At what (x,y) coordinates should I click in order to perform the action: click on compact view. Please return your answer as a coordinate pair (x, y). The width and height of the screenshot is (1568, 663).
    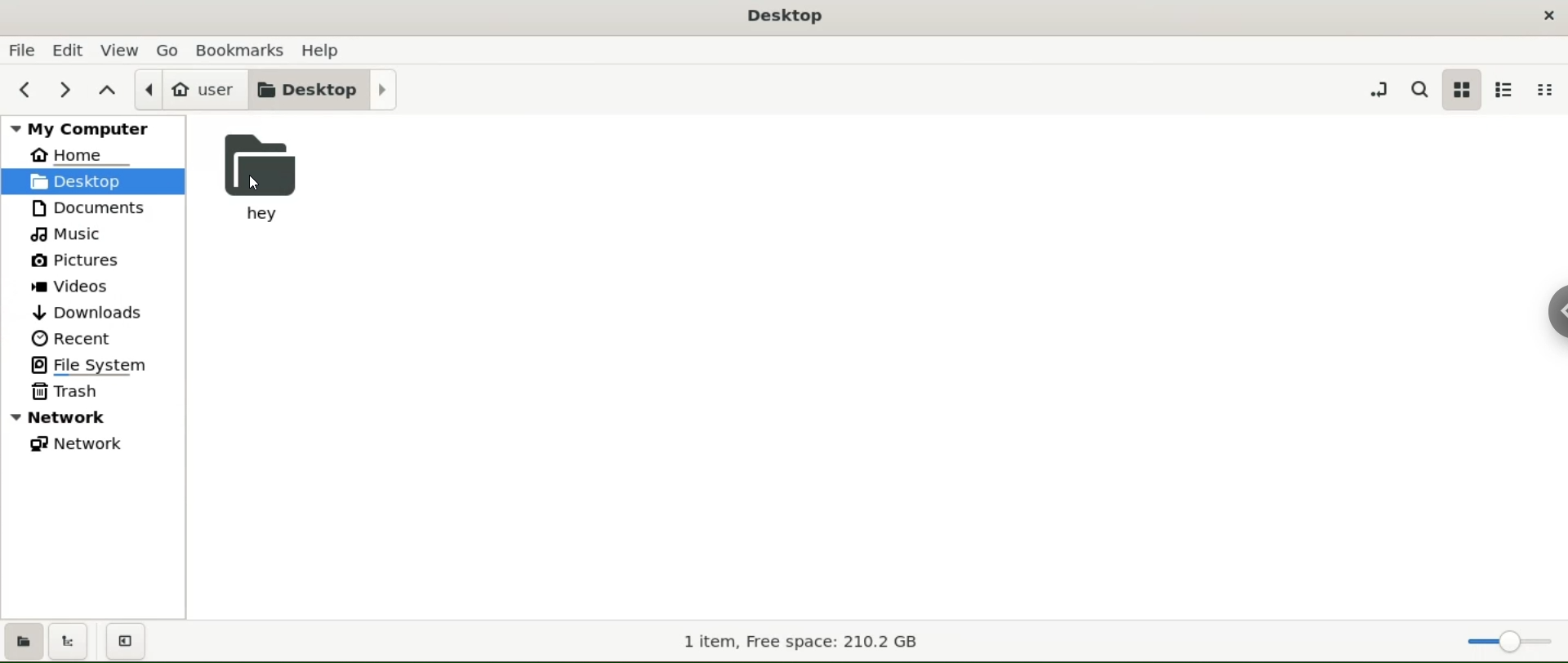
    Looking at the image, I should click on (1545, 91).